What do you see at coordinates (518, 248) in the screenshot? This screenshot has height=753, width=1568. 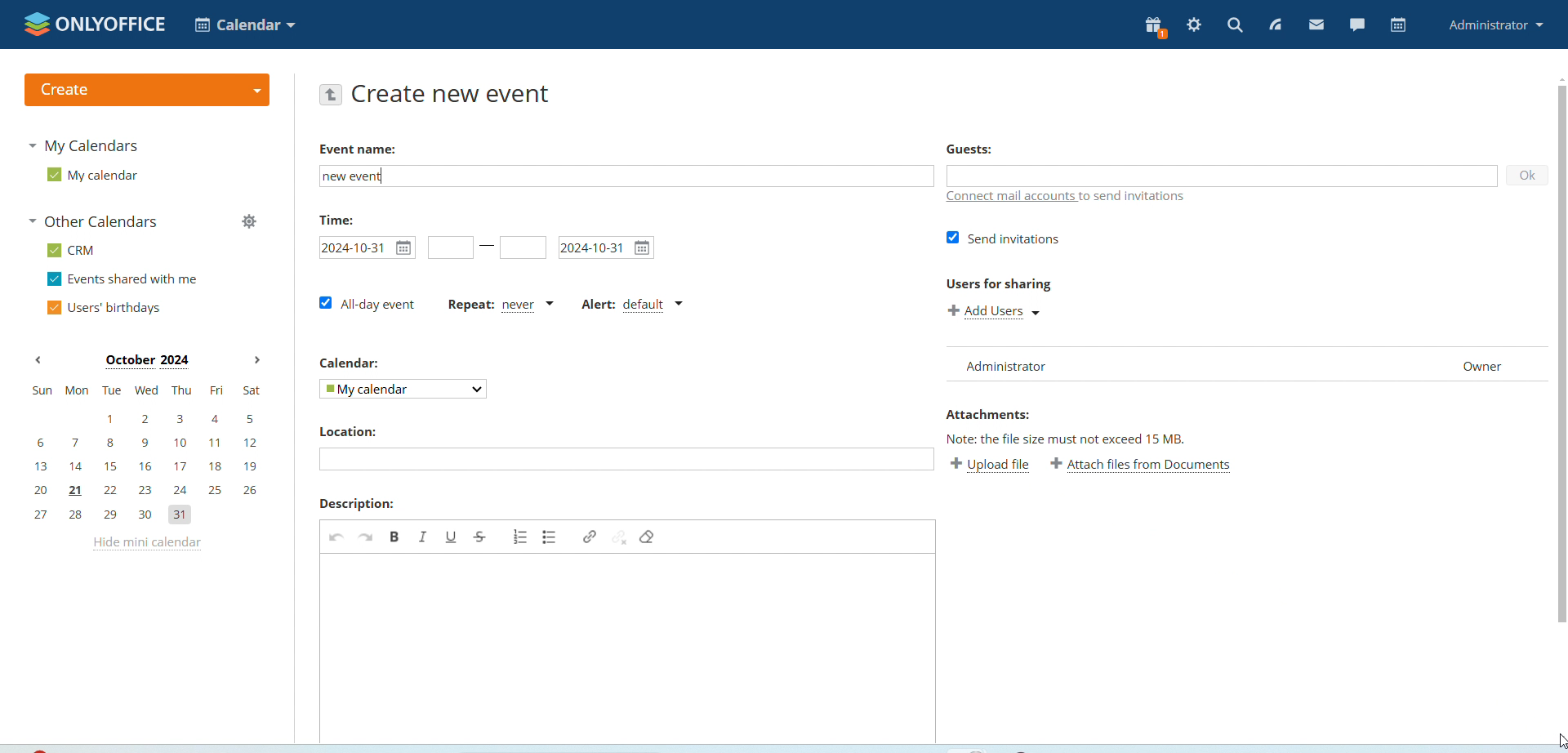 I see `event end time` at bounding box center [518, 248].